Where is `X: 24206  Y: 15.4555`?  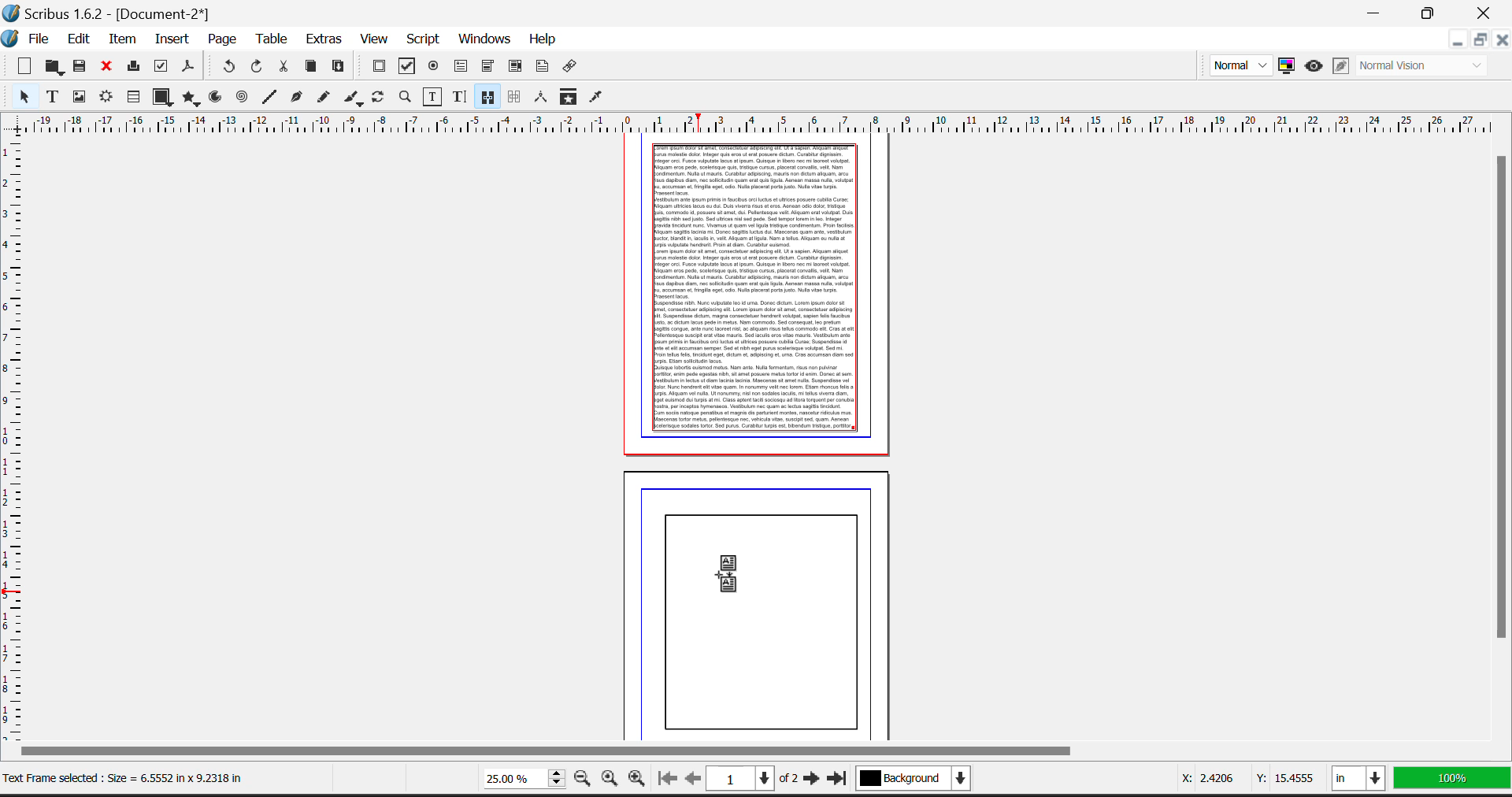 X: 24206  Y: 15.4555 is located at coordinates (1237, 776).